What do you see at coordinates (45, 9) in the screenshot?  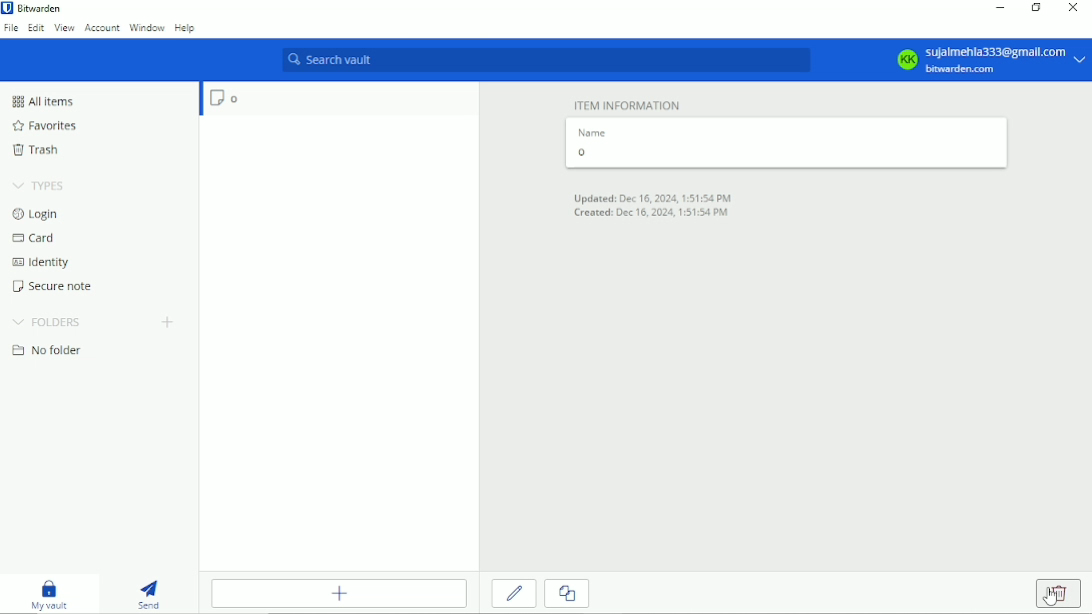 I see `Bitwarden` at bounding box center [45, 9].